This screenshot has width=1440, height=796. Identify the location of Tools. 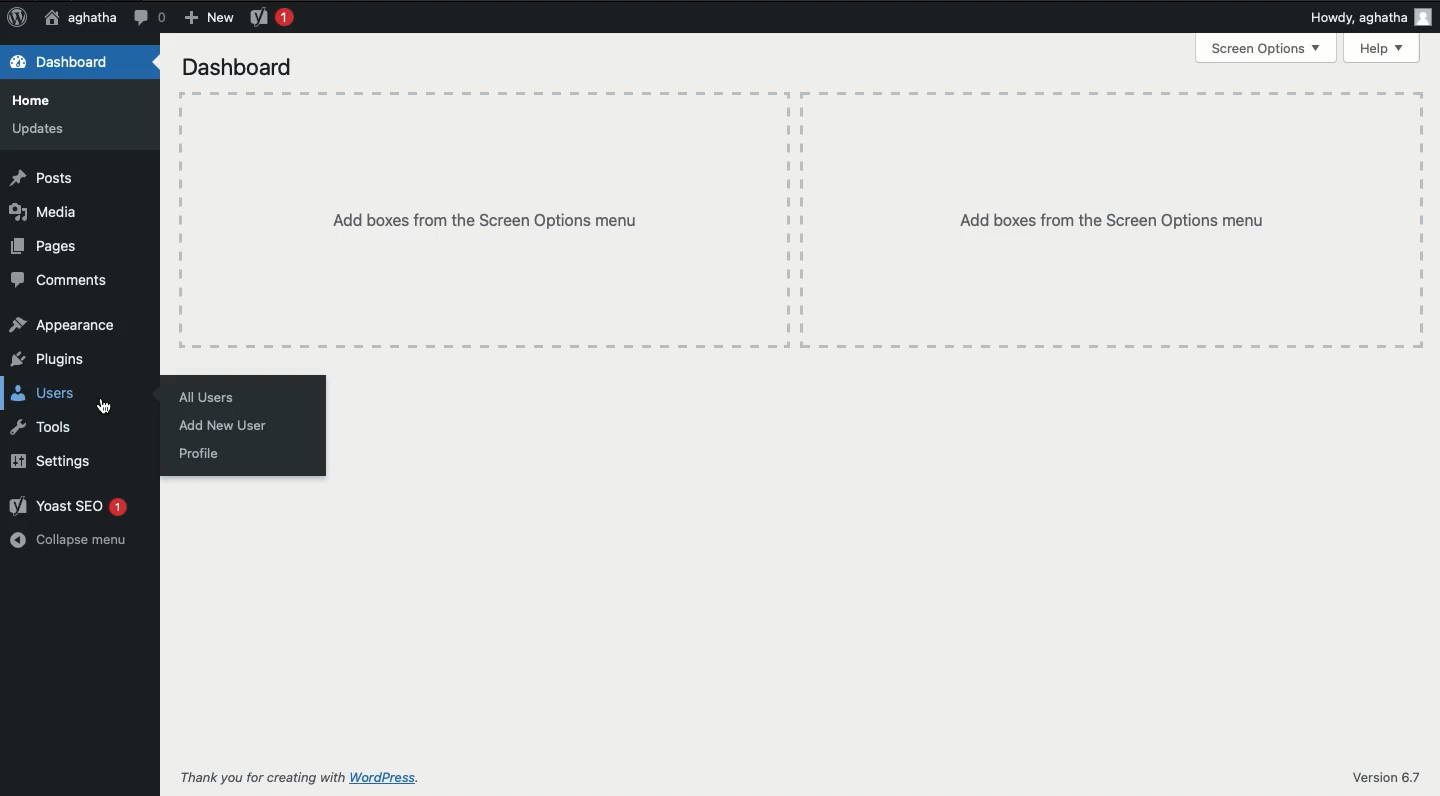
(45, 428).